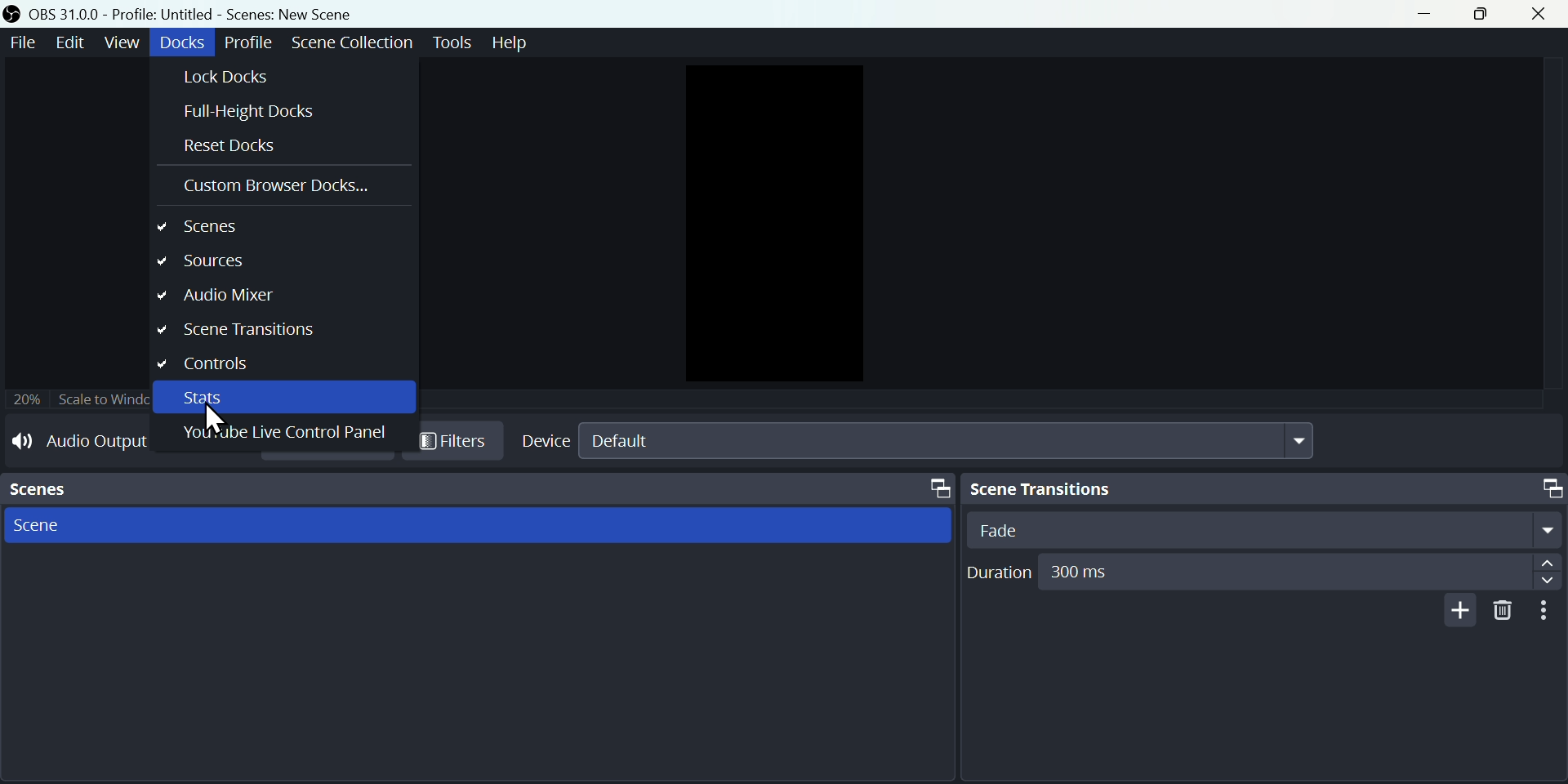 This screenshot has height=784, width=1568. Describe the element at coordinates (245, 145) in the screenshot. I see `Reset Docks` at that location.